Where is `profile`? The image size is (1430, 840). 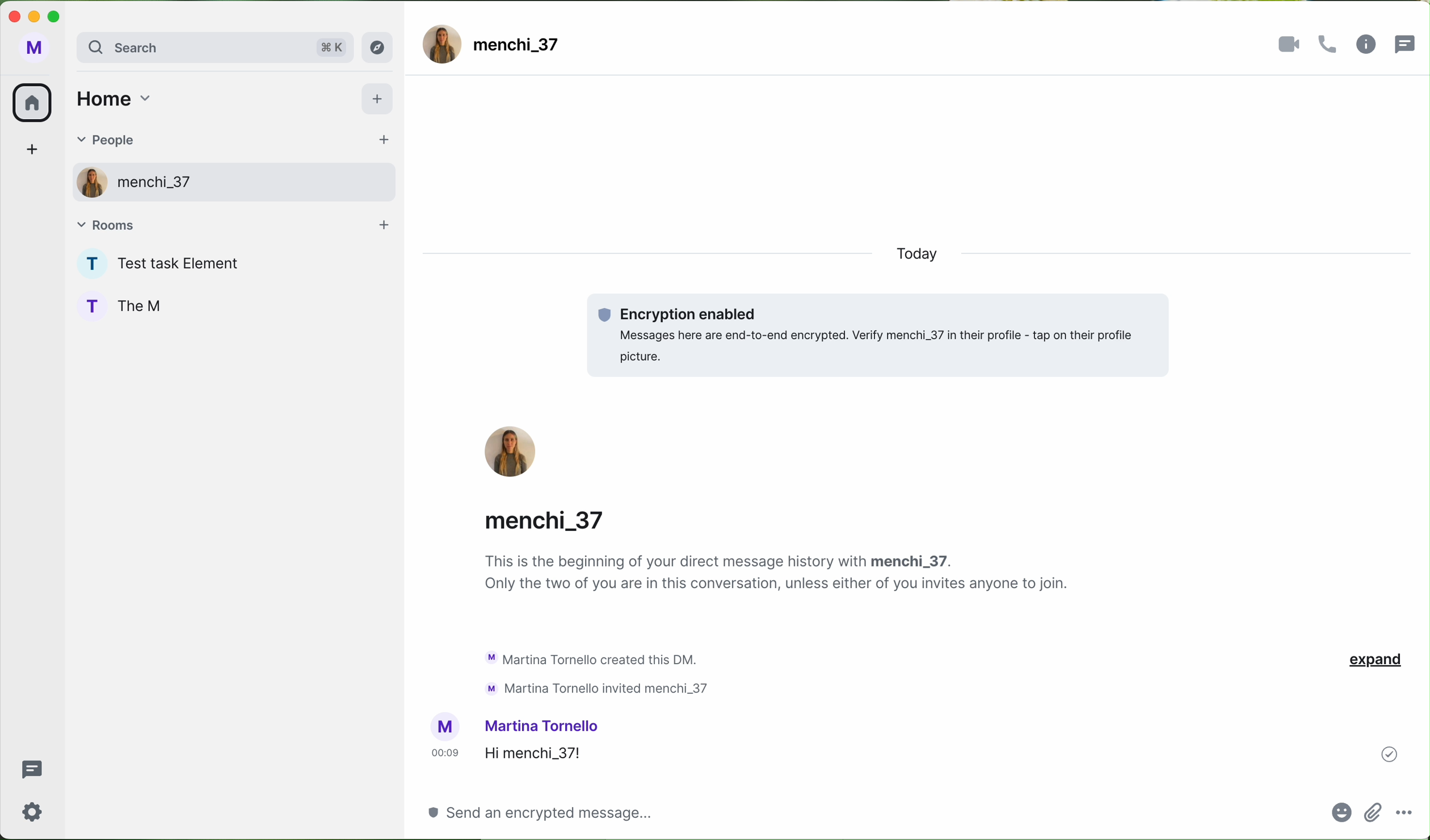
profile is located at coordinates (89, 304).